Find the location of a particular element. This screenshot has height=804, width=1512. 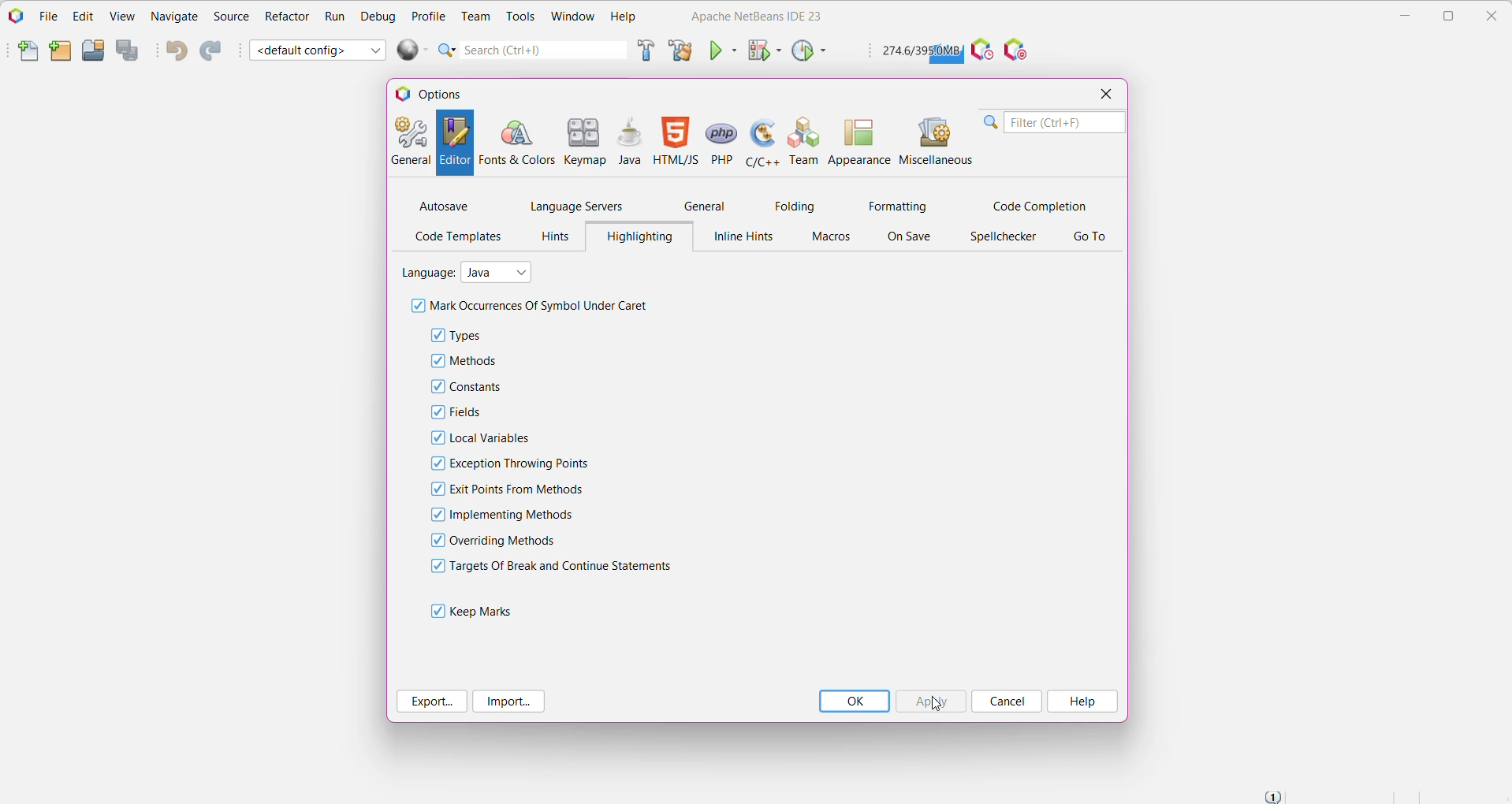

Highlighting is located at coordinates (639, 236).